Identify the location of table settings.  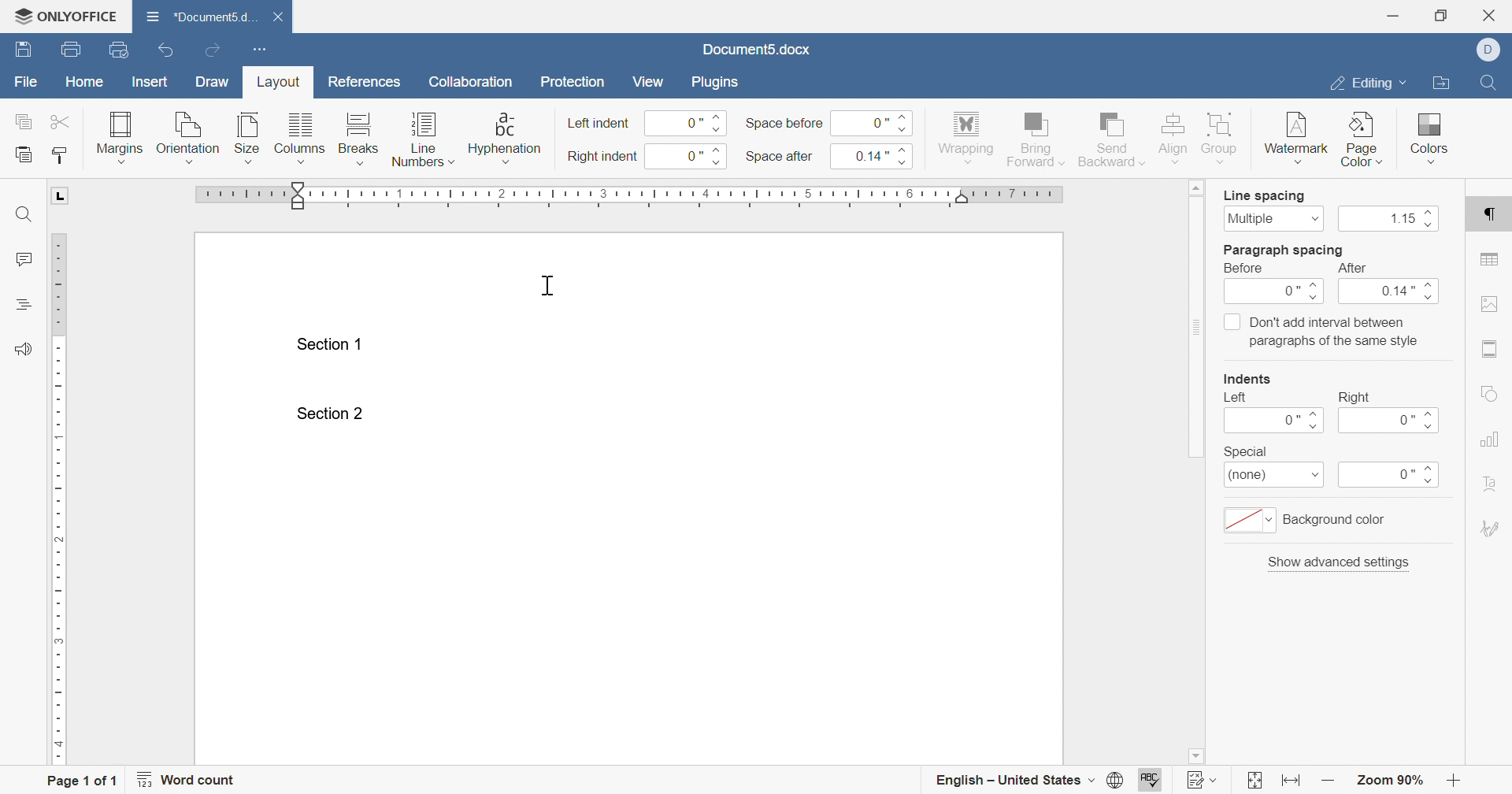
(1491, 259).